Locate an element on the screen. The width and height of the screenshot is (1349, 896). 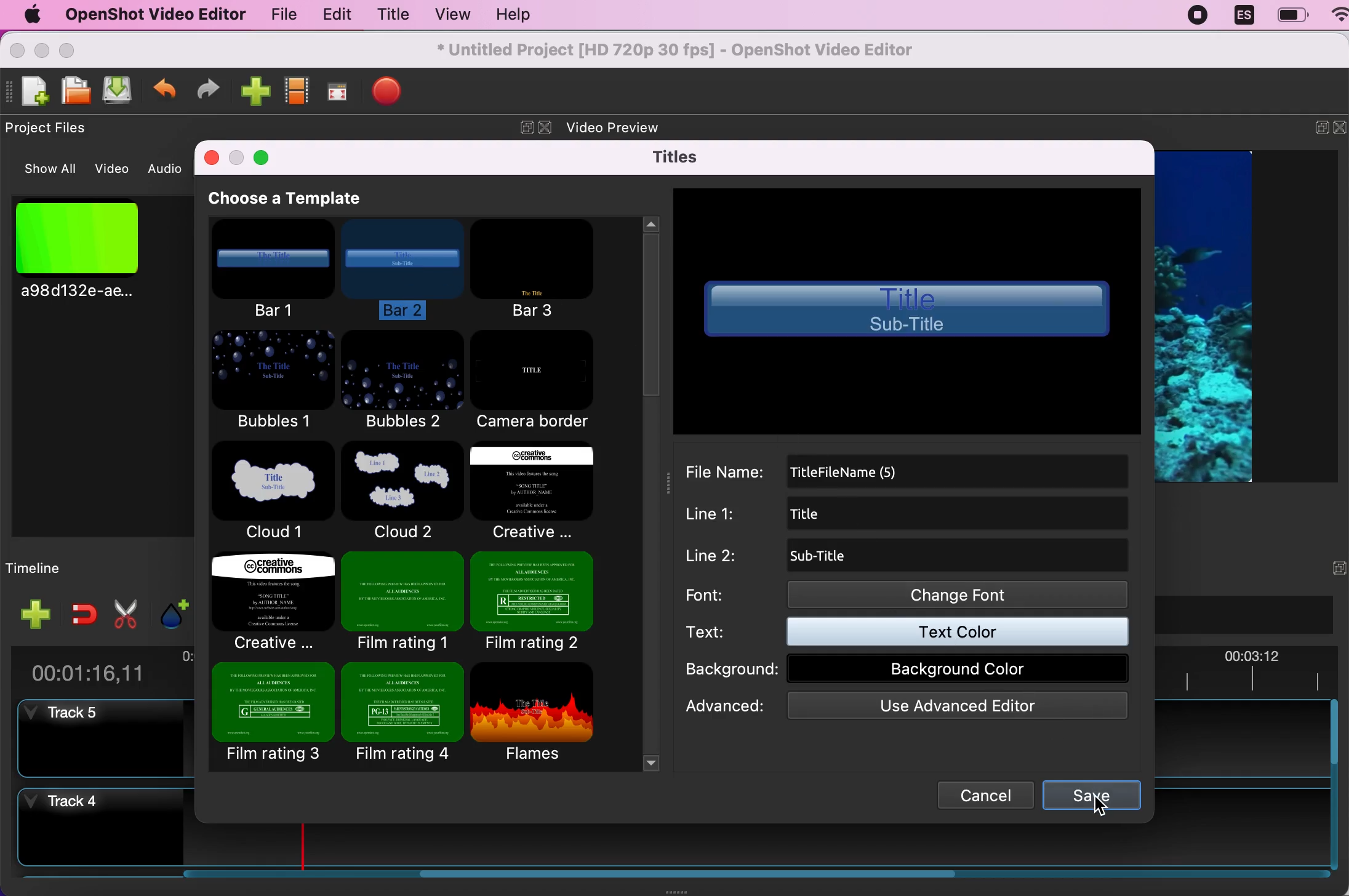
title is located at coordinates (393, 14).